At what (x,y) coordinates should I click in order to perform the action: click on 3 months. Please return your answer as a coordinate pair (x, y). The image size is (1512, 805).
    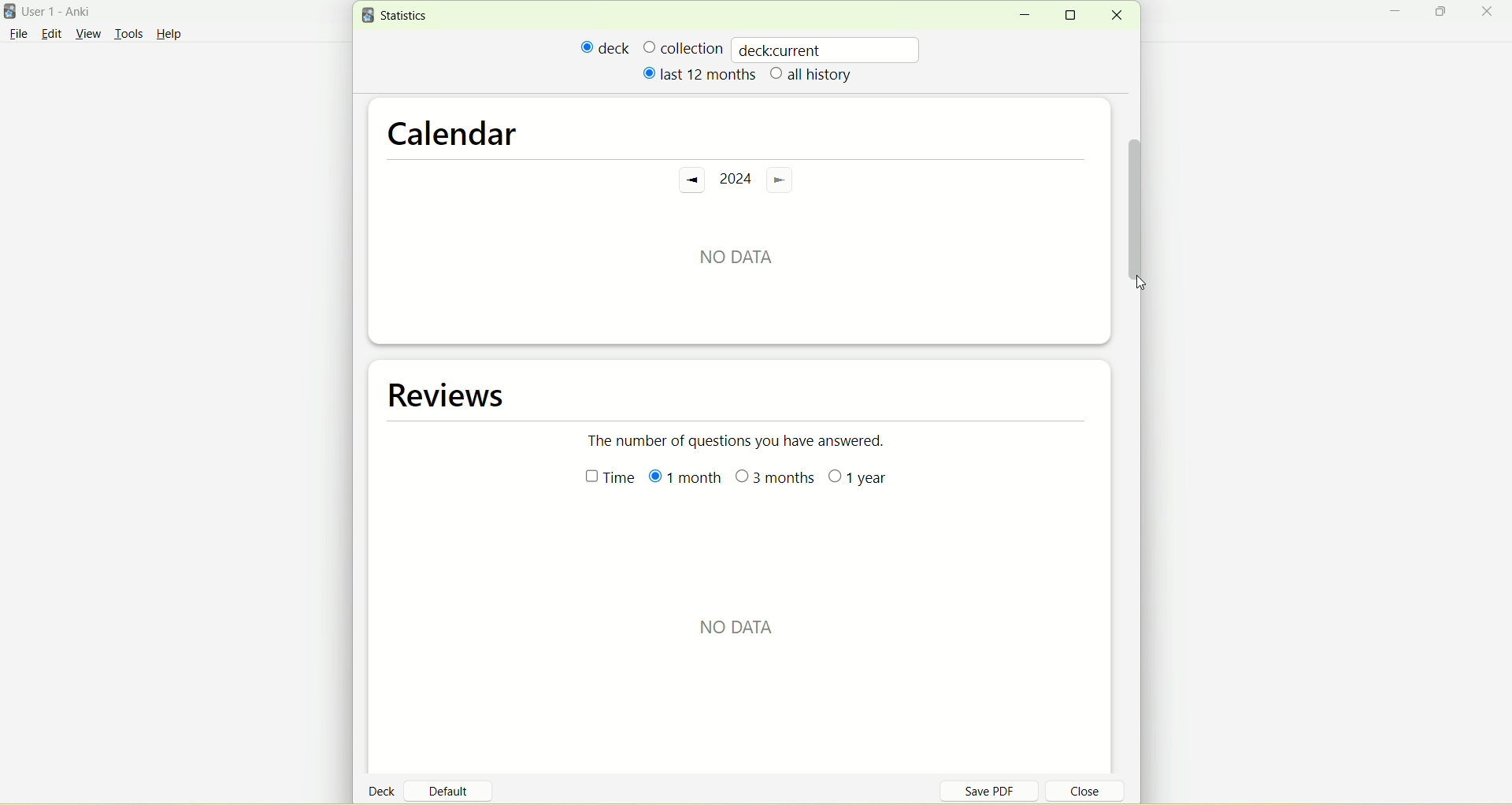
    Looking at the image, I should click on (776, 480).